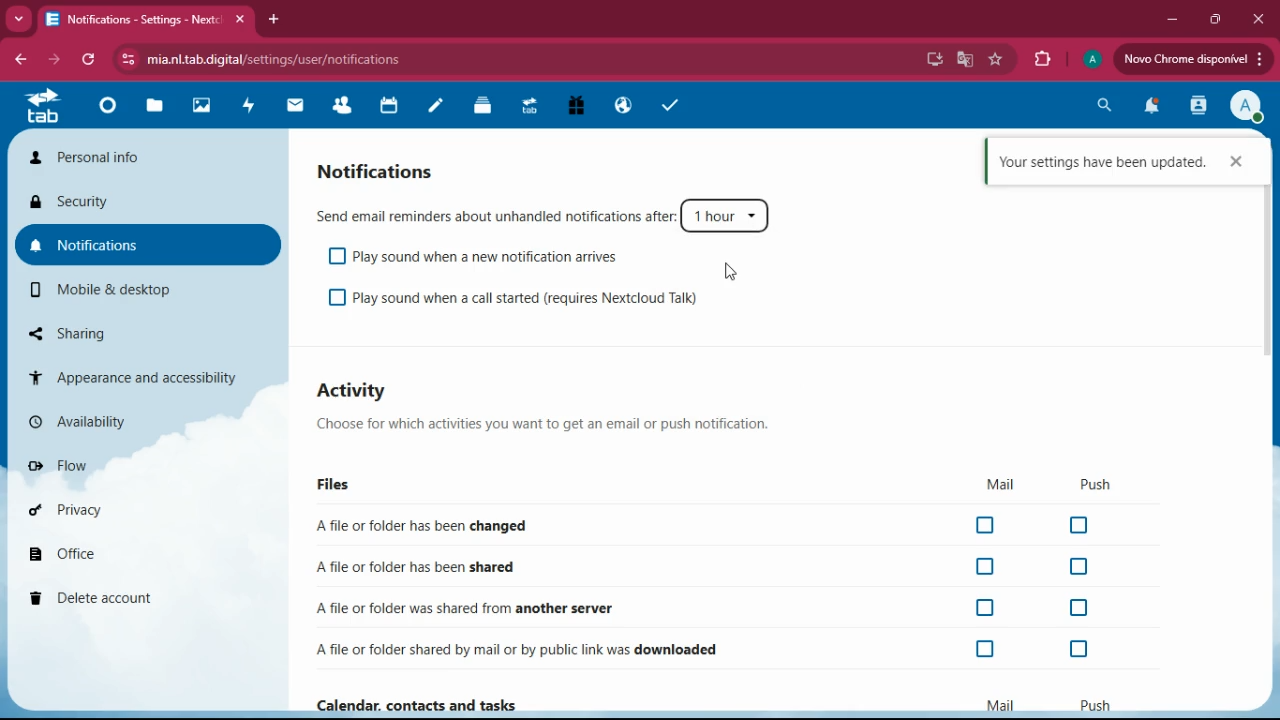  I want to click on send email, so click(491, 213).